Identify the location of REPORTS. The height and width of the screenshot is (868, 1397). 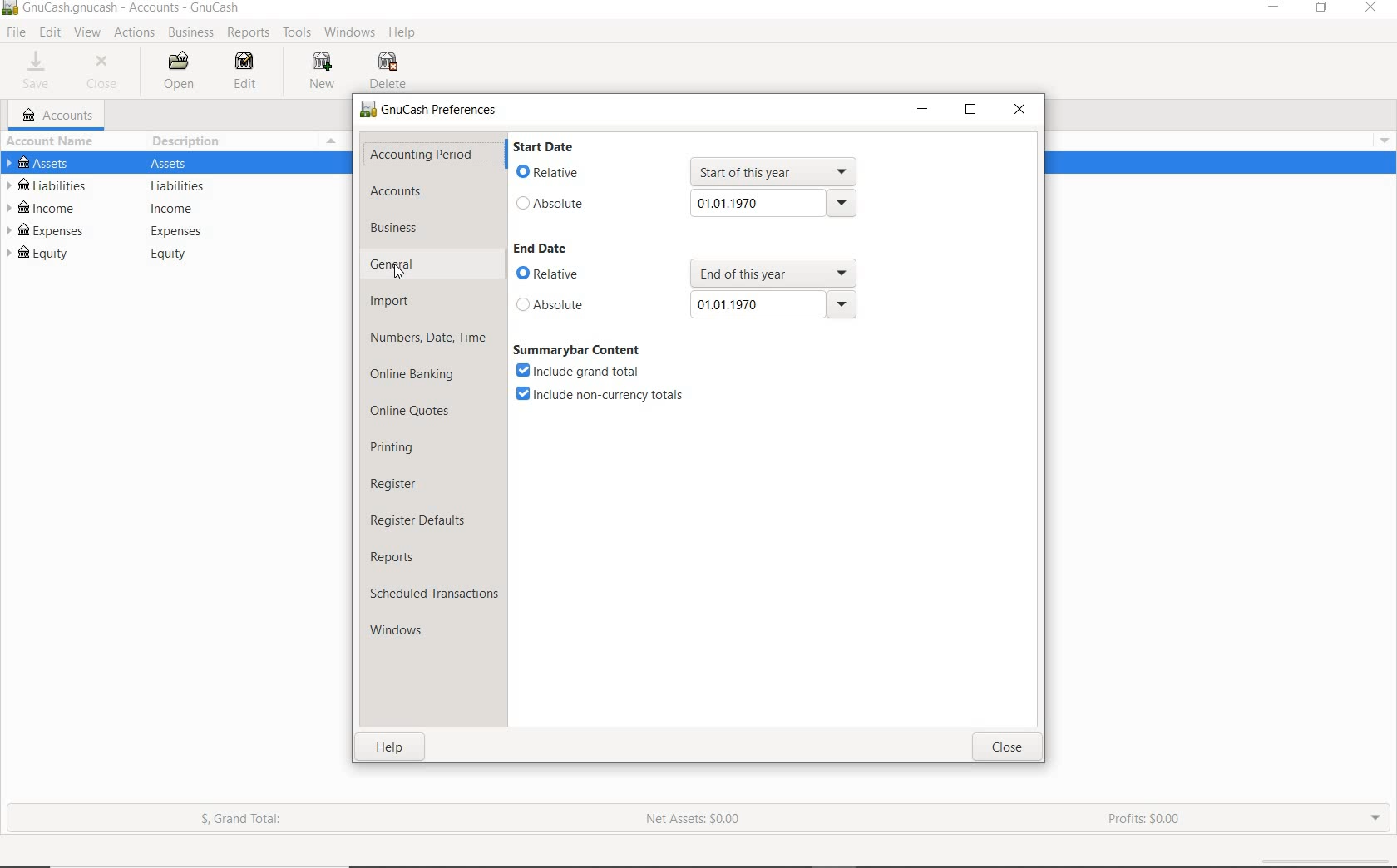
(249, 33).